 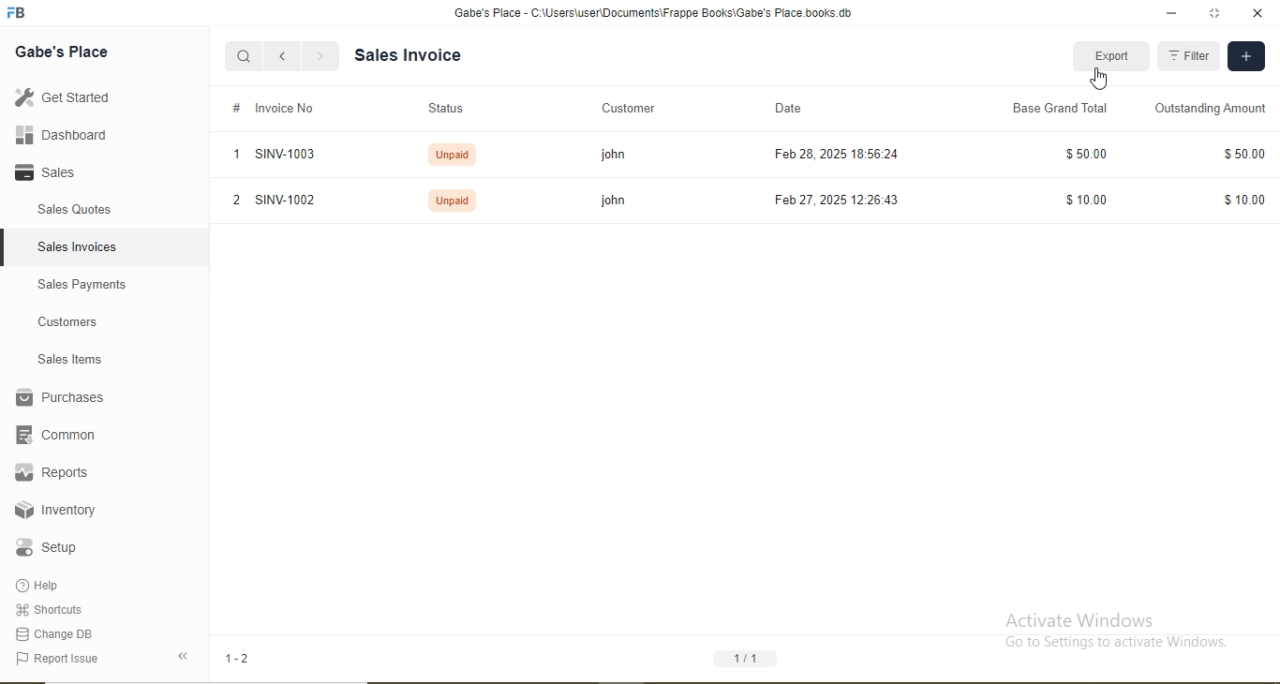 What do you see at coordinates (61, 435) in the screenshot?
I see `‘Common` at bounding box center [61, 435].